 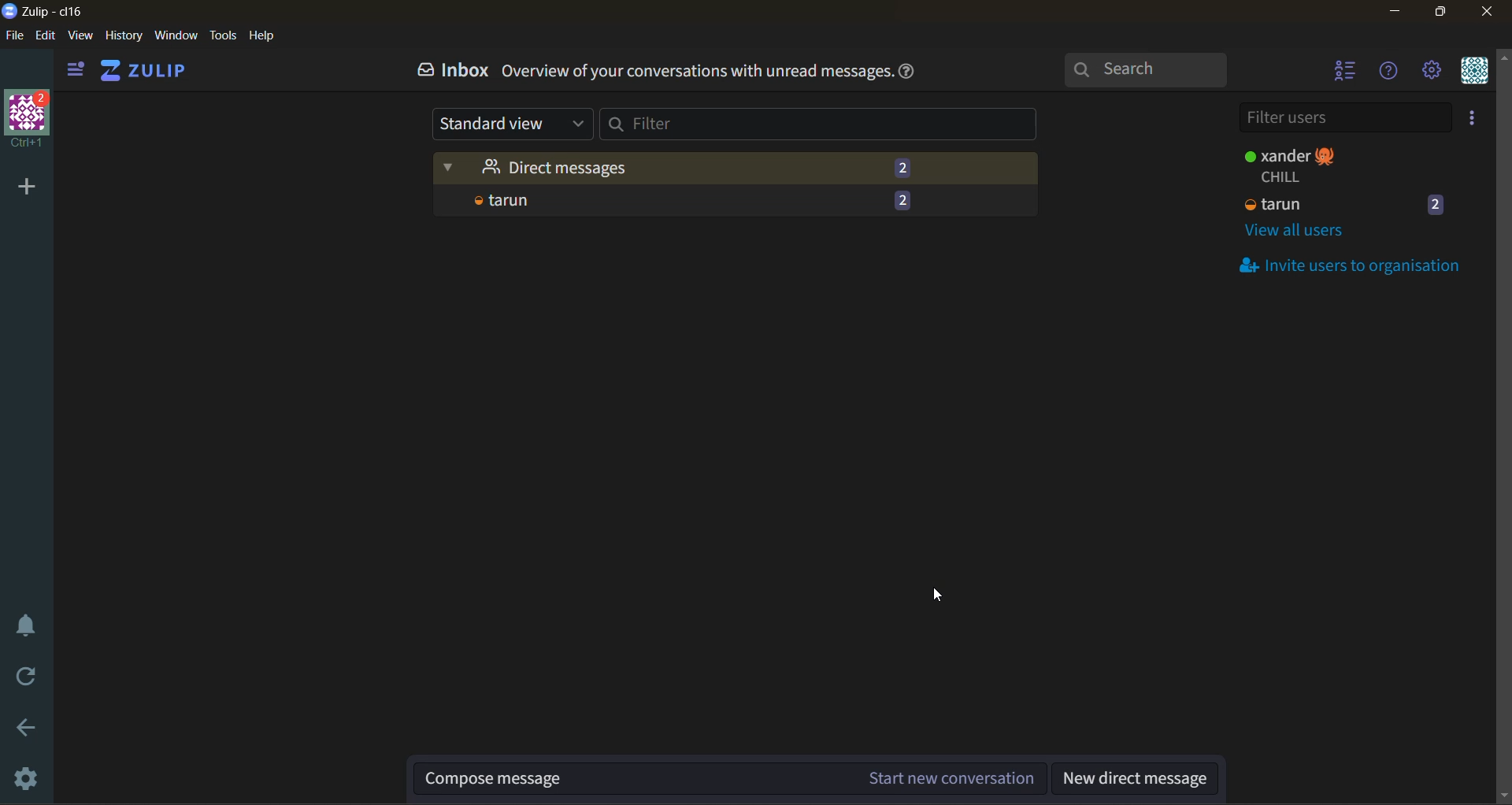 I want to click on search, so click(x=1152, y=71).